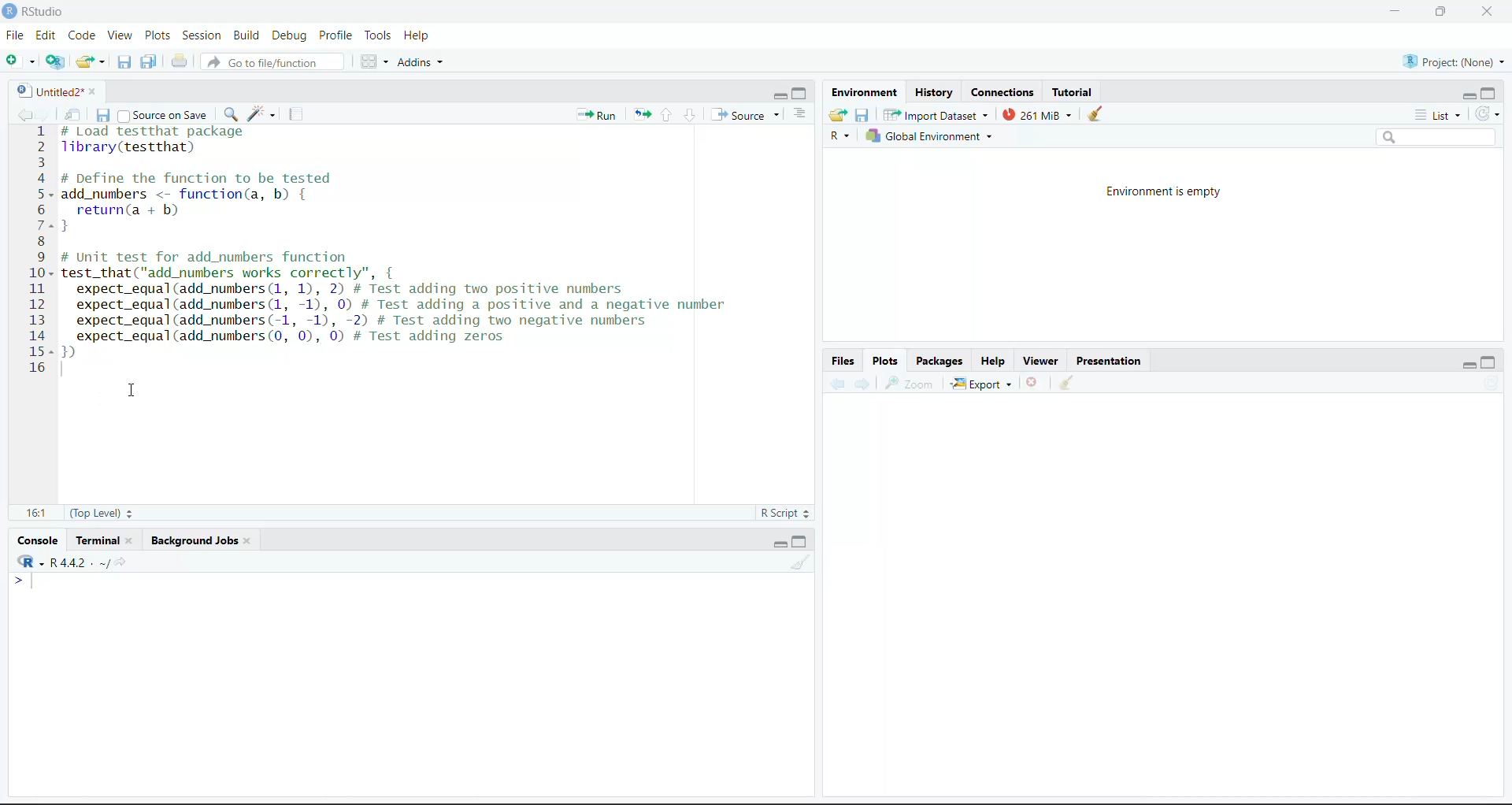 This screenshot has height=805, width=1512. What do you see at coordinates (36, 539) in the screenshot?
I see `Console` at bounding box center [36, 539].